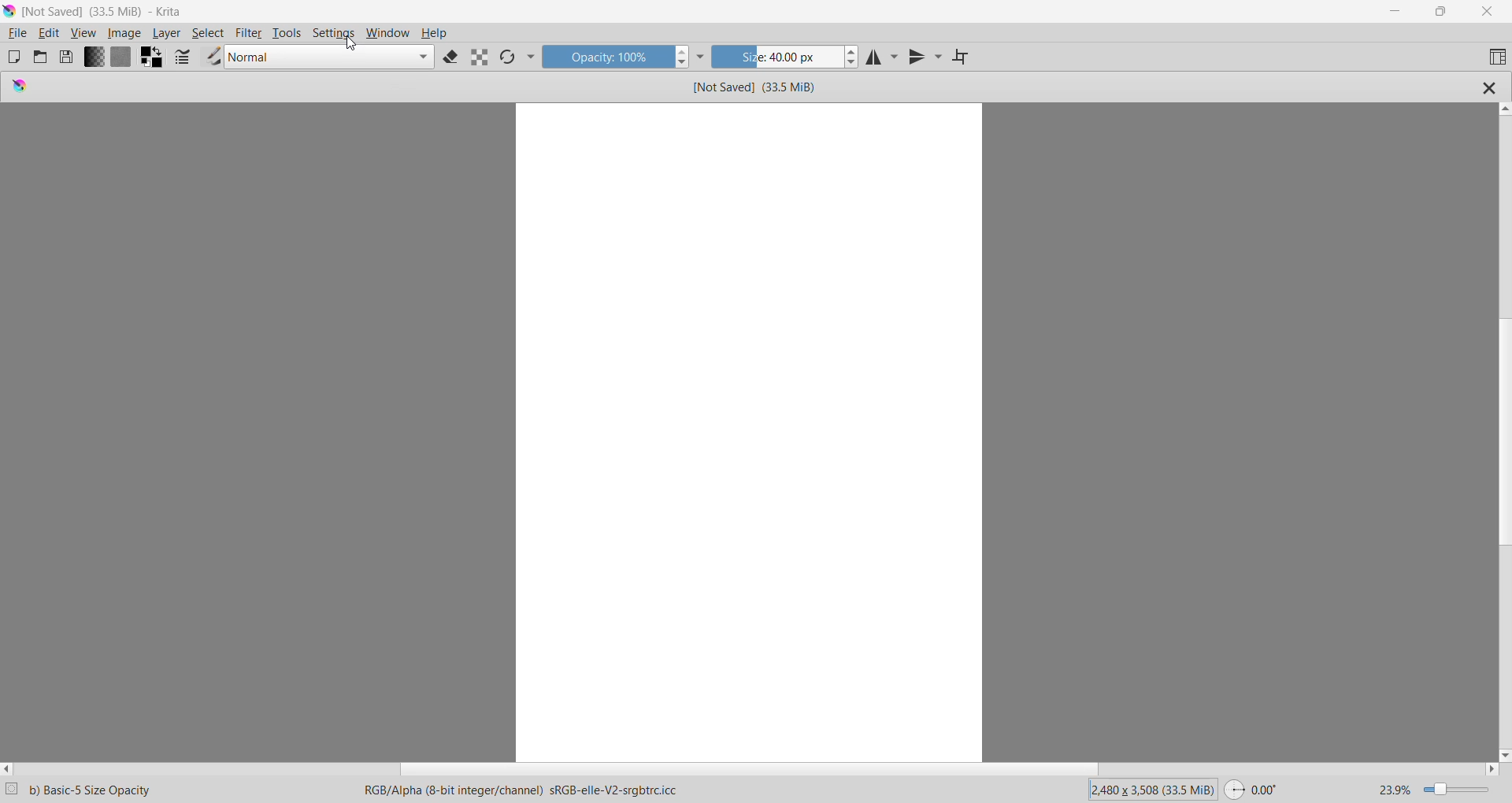  Describe the element at coordinates (207, 31) in the screenshot. I see `Select` at that location.